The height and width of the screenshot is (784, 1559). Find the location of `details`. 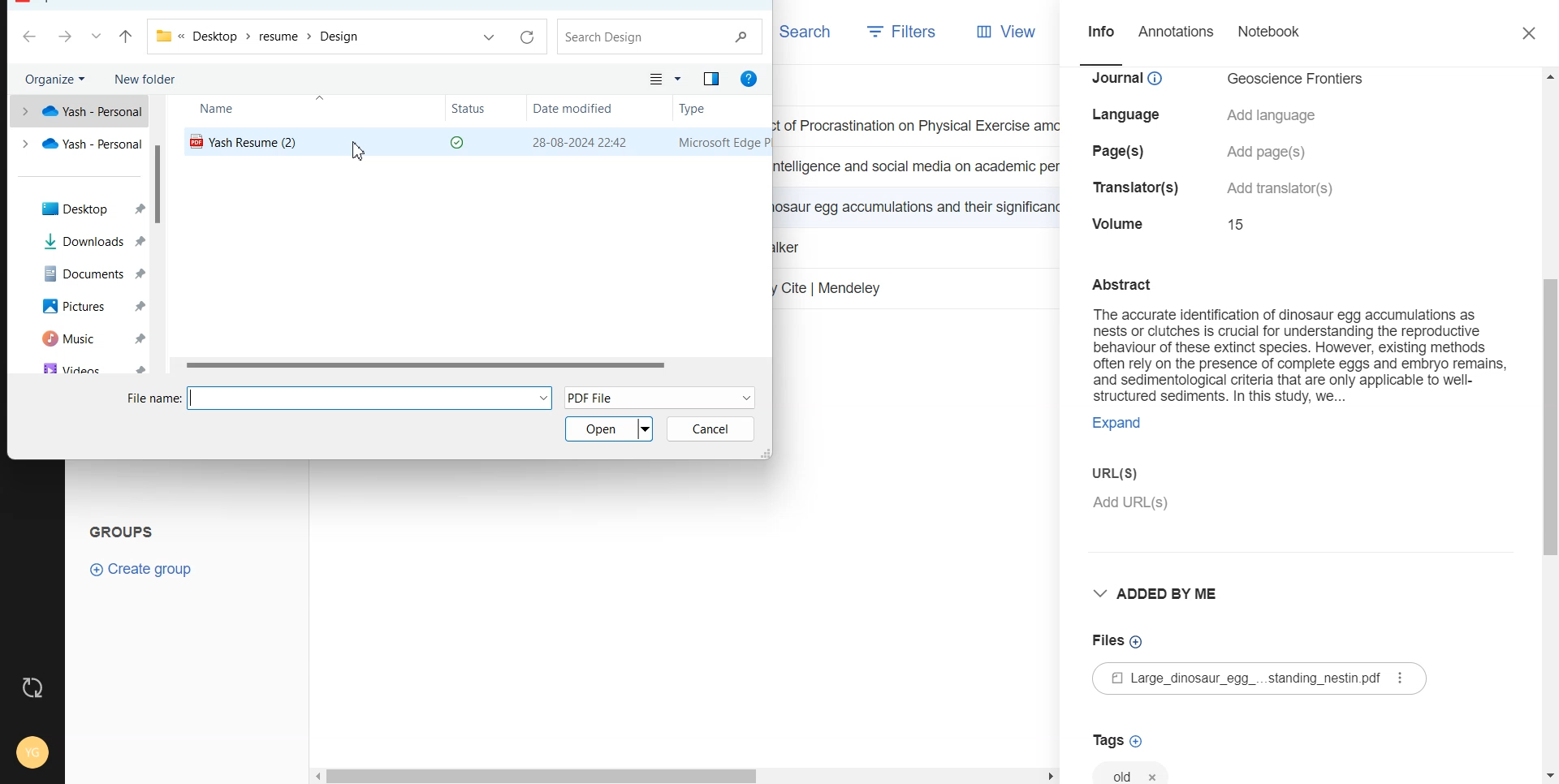

details is located at coordinates (1240, 223).